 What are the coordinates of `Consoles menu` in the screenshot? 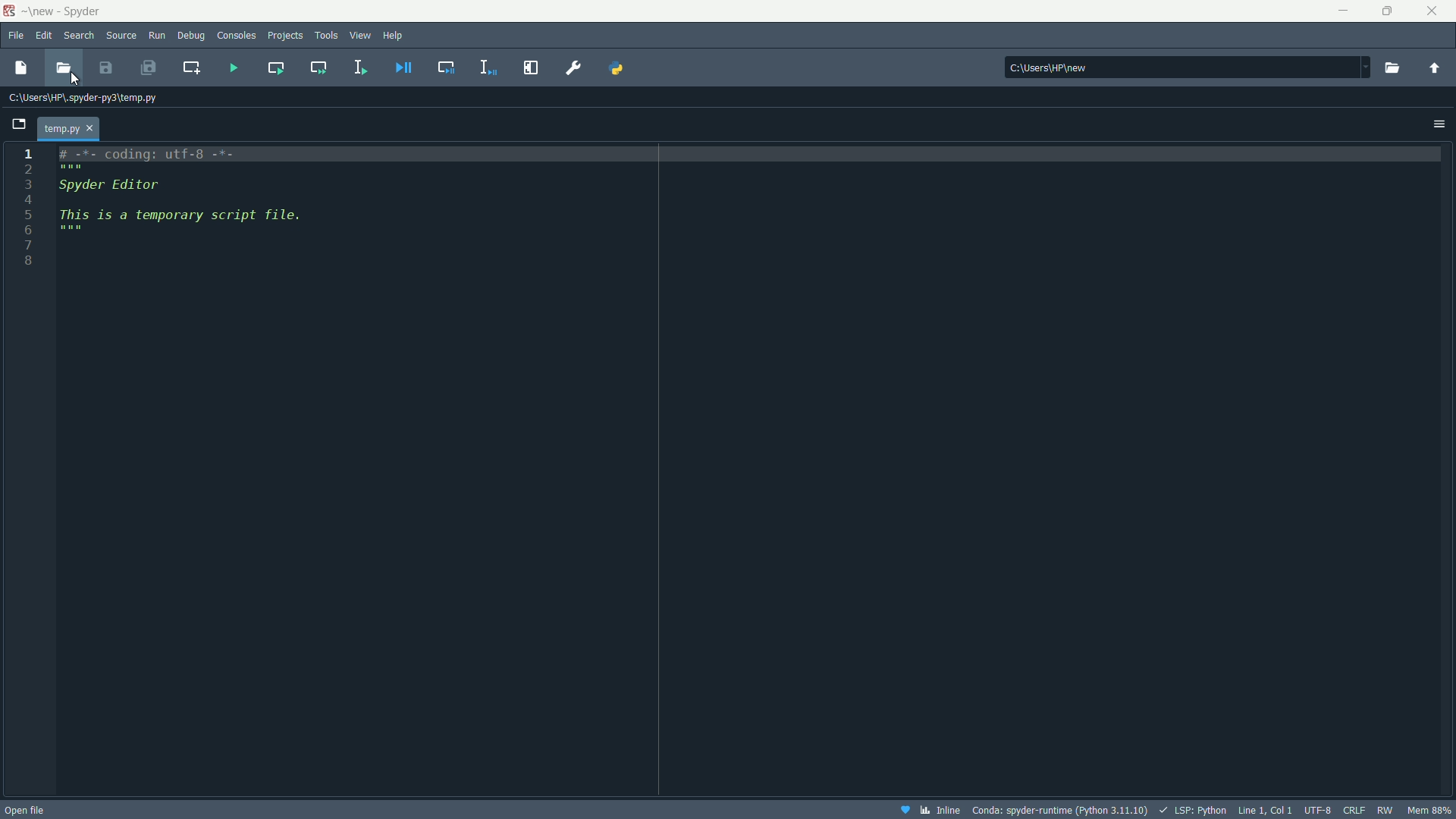 It's located at (236, 35).